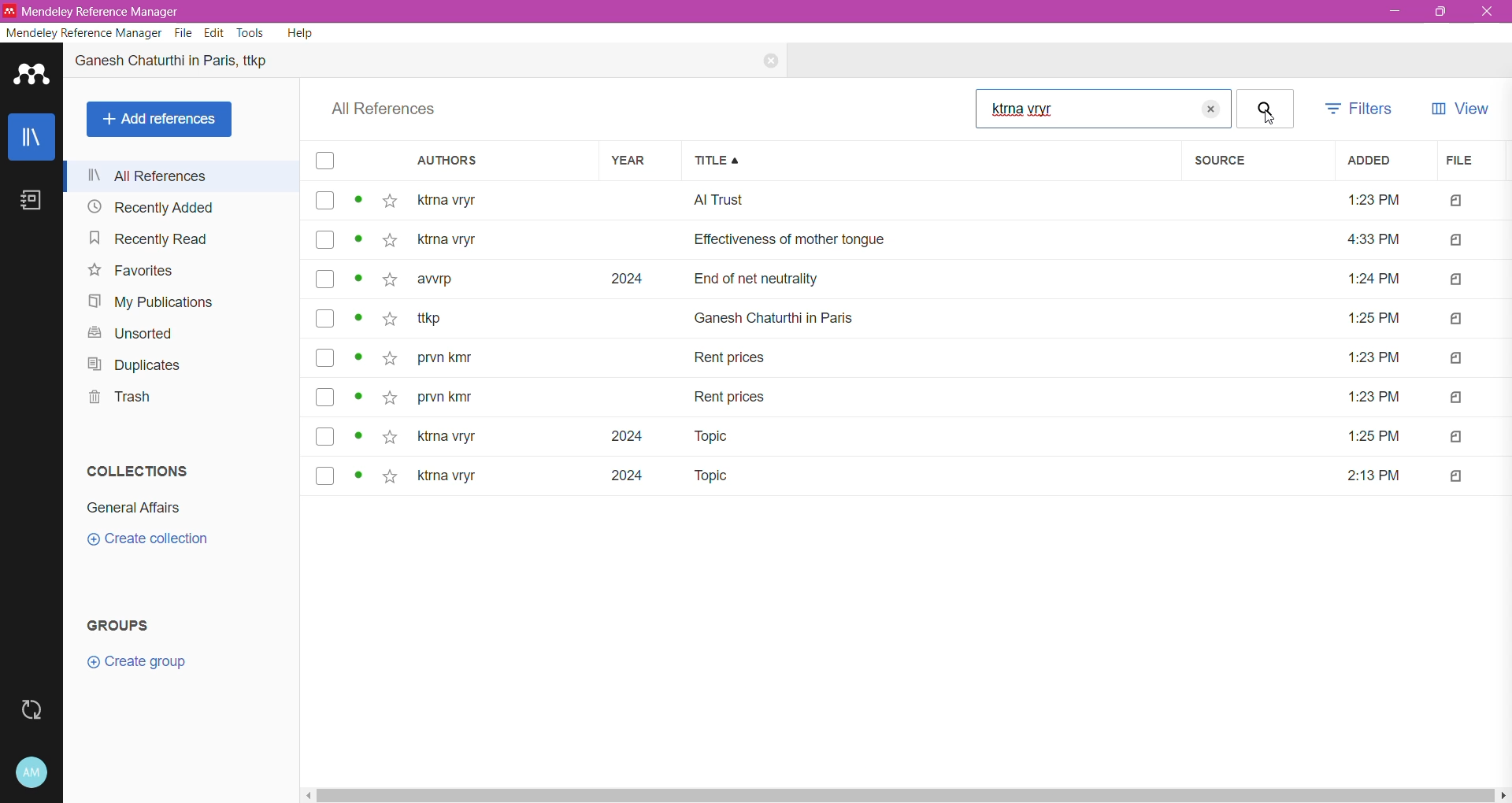 Image resolution: width=1512 pixels, height=803 pixels. What do you see at coordinates (1451, 202) in the screenshot?
I see `file type` at bounding box center [1451, 202].